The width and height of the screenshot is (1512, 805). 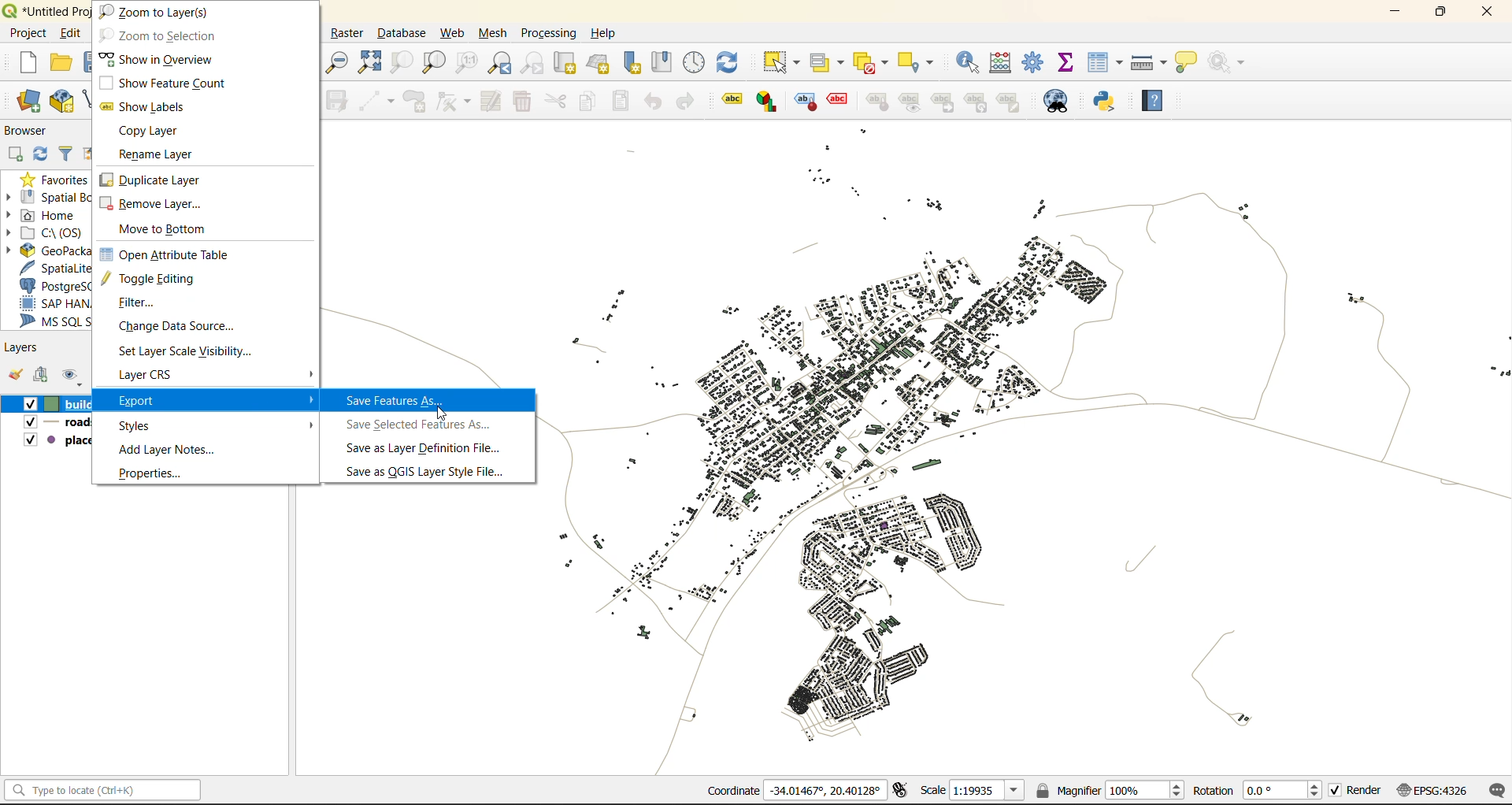 I want to click on identify features, so click(x=972, y=62).